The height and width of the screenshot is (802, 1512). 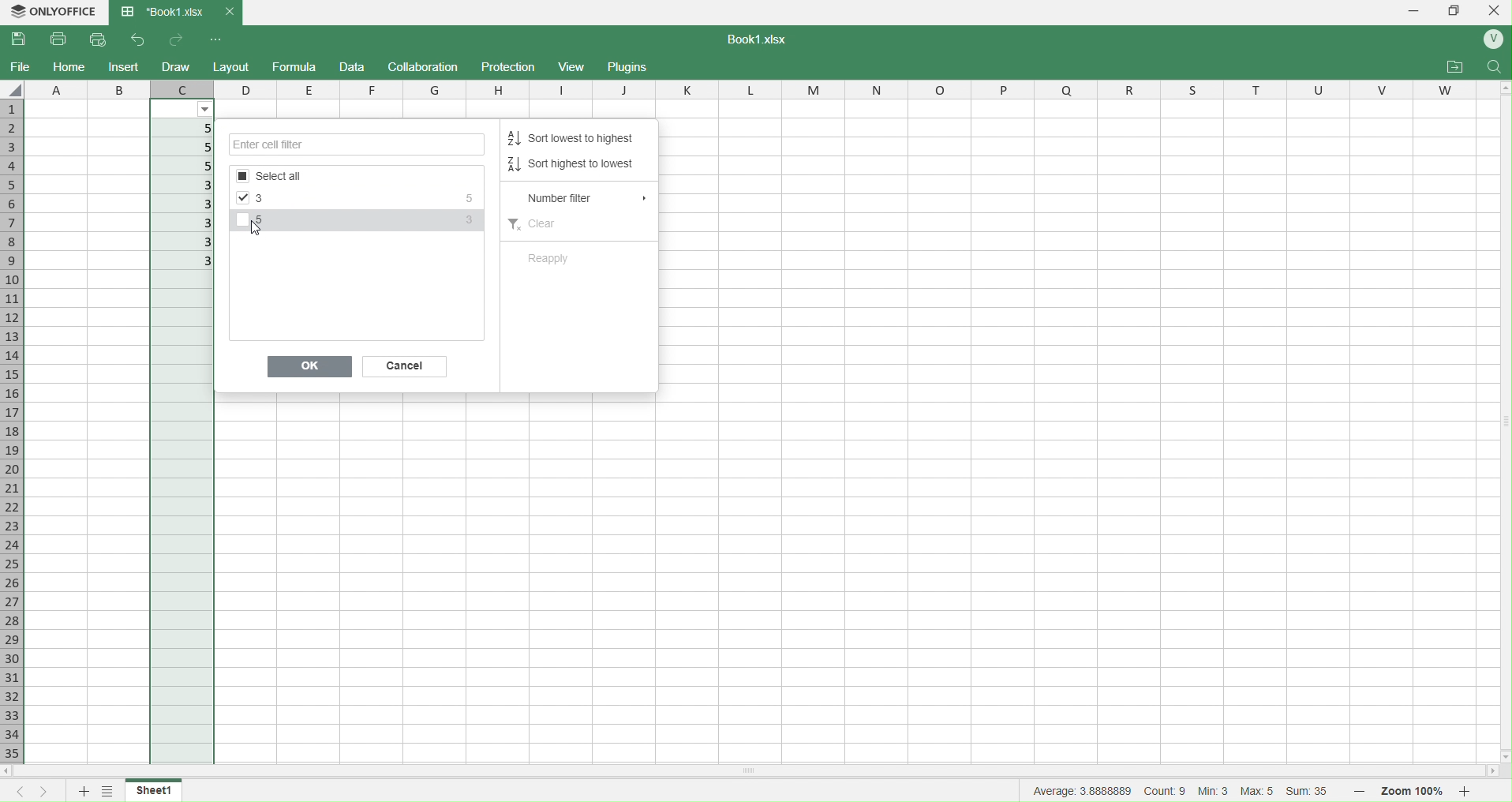 I want to click on previous sheet, so click(x=23, y=793).